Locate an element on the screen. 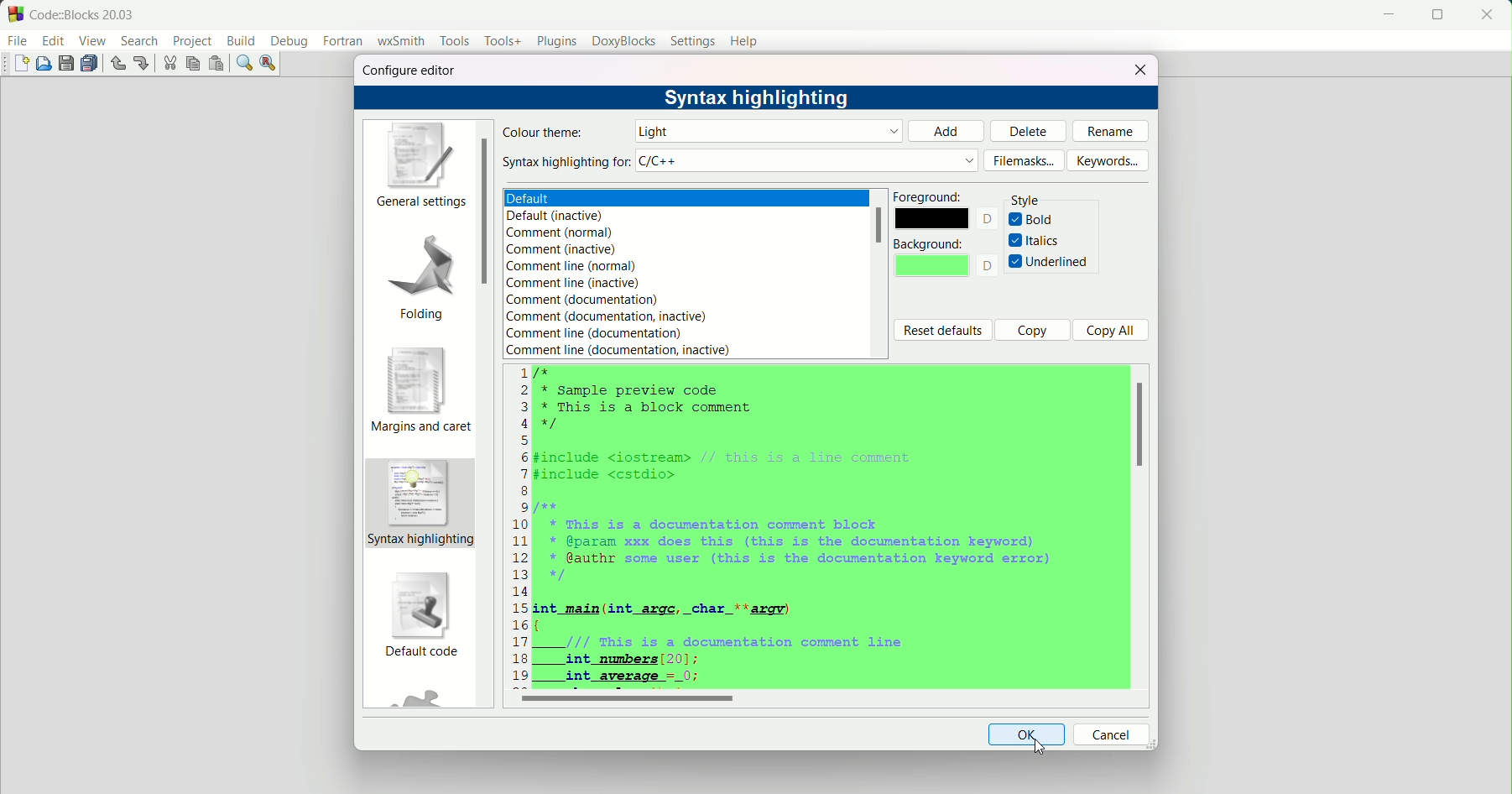 Image resolution: width=1512 pixels, height=794 pixels. tools+ is located at coordinates (500, 42).